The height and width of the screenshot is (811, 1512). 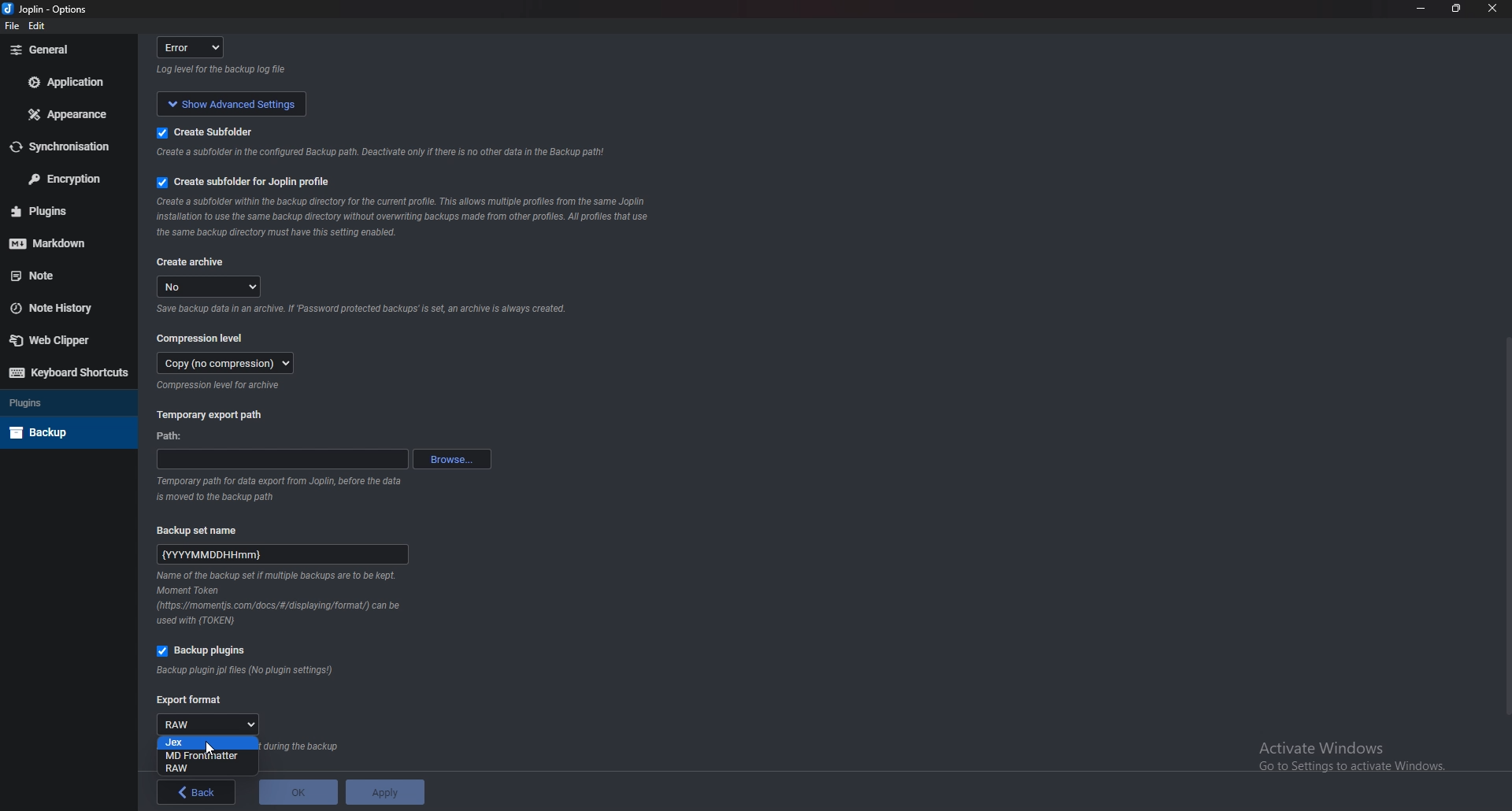 What do you see at coordinates (207, 651) in the screenshot?
I see `Backup plugins` at bounding box center [207, 651].